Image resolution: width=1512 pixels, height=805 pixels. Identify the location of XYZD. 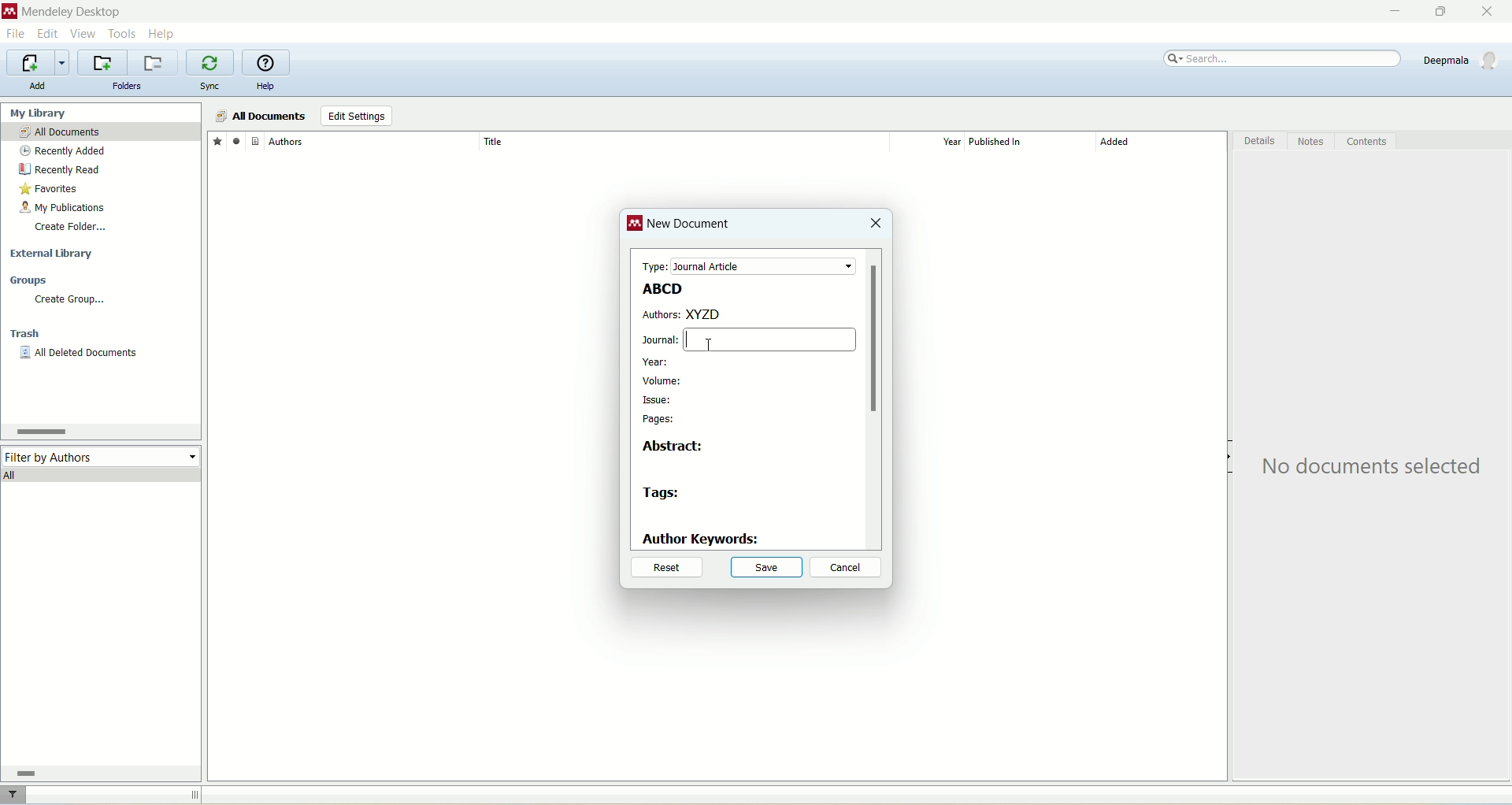
(771, 315).